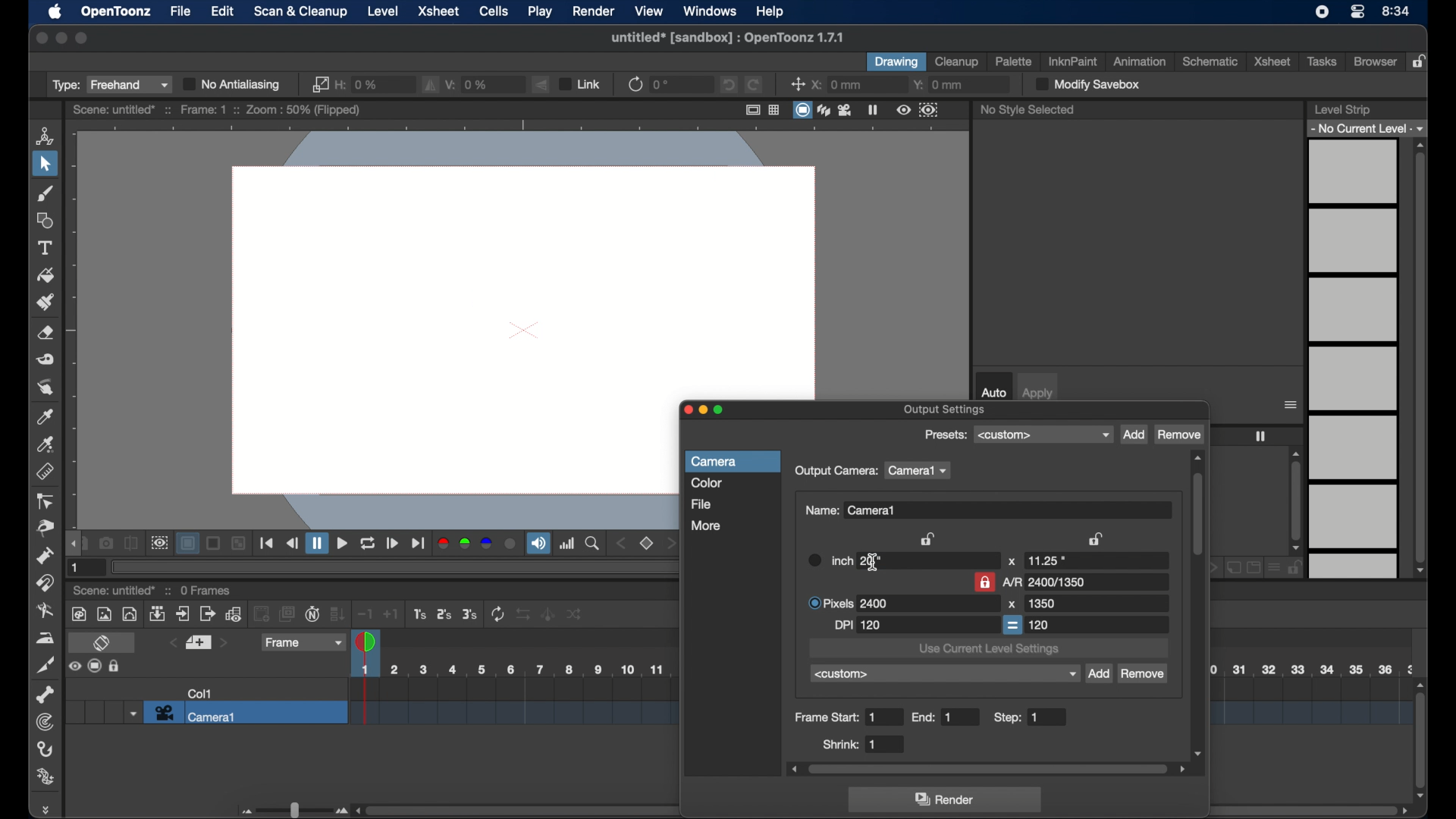  I want to click on schematic, so click(1211, 61).